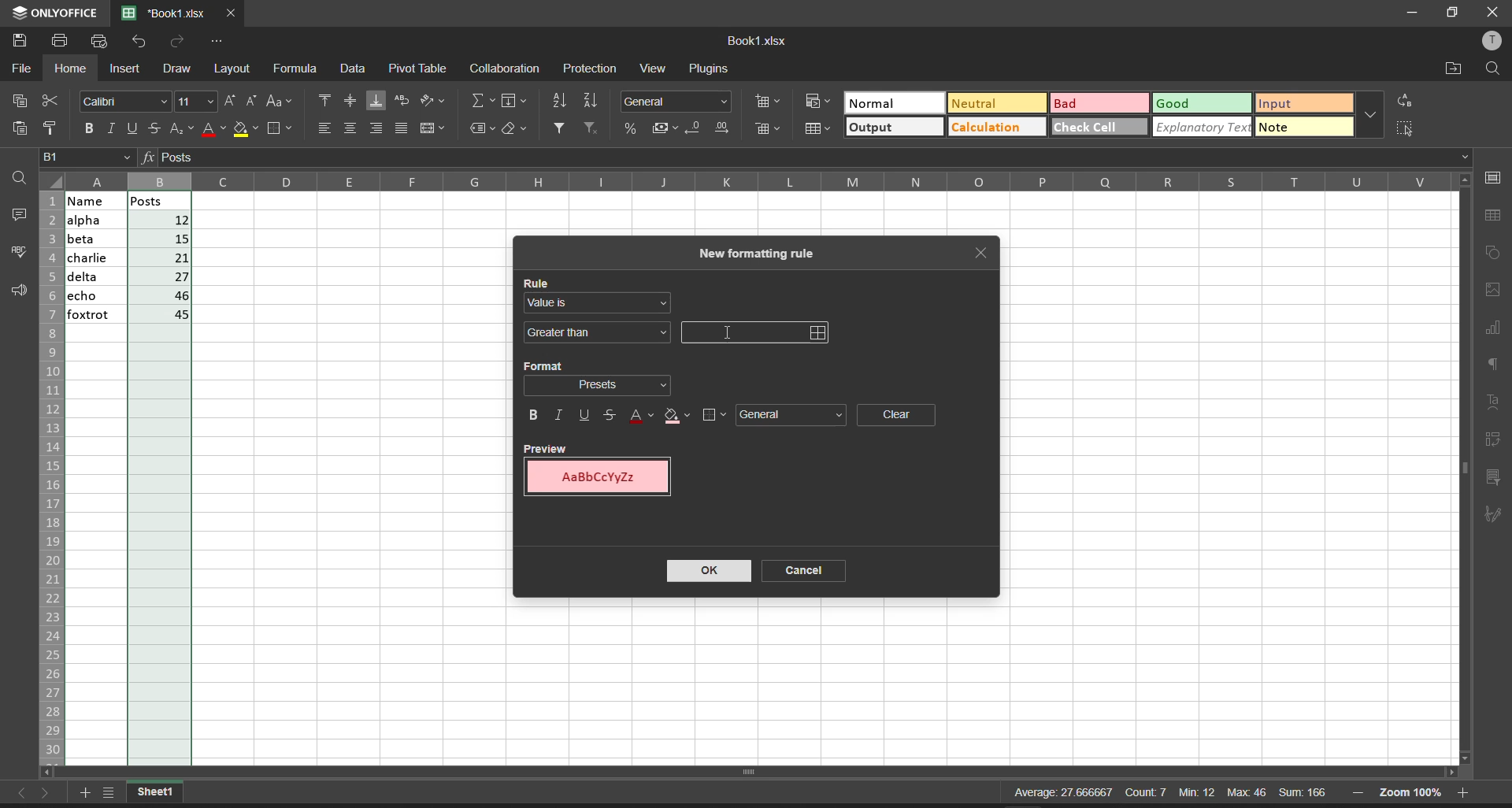  I want to click on open file location, so click(1454, 70).